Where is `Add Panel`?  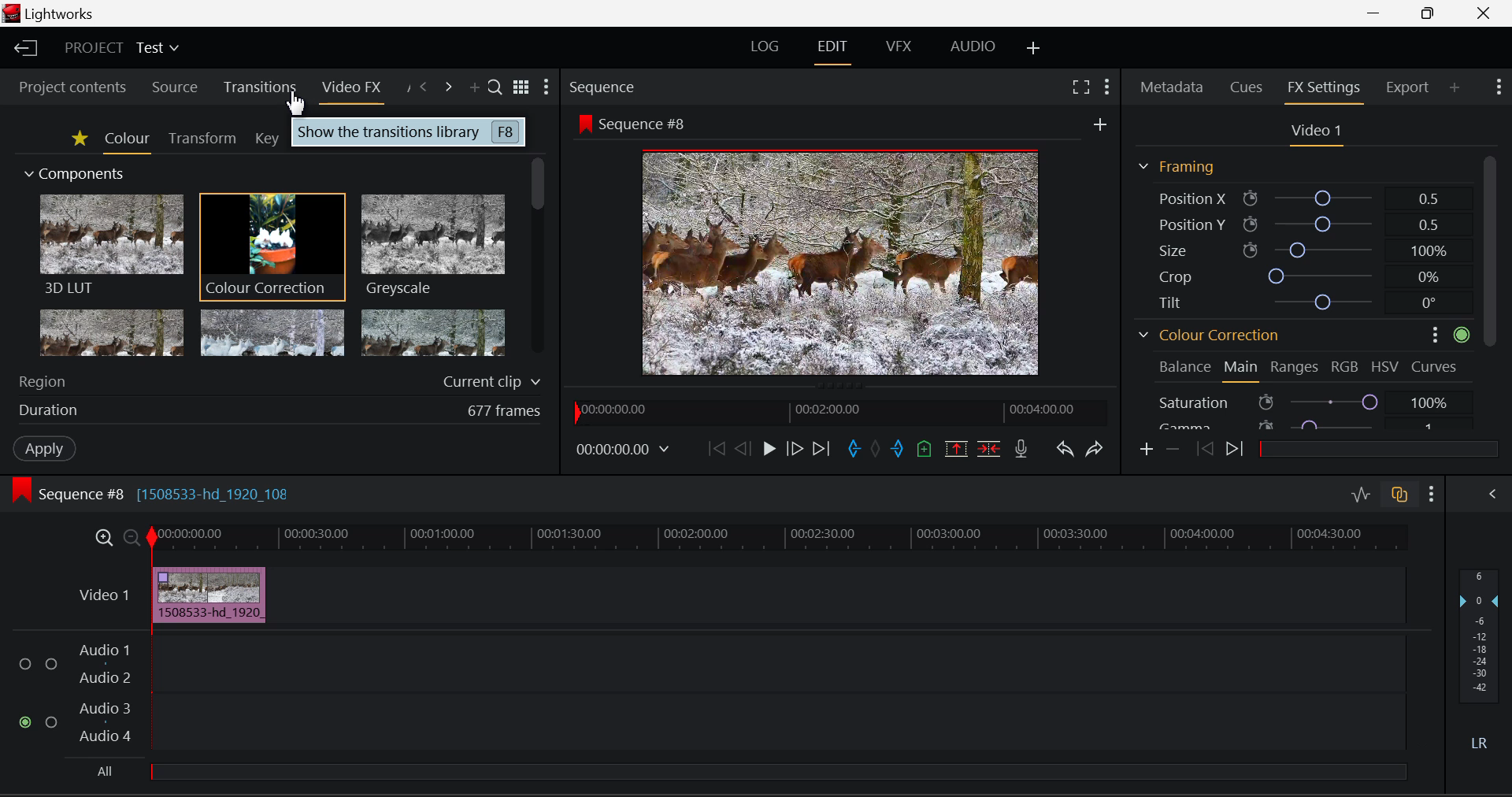
Add Panel is located at coordinates (472, 87).